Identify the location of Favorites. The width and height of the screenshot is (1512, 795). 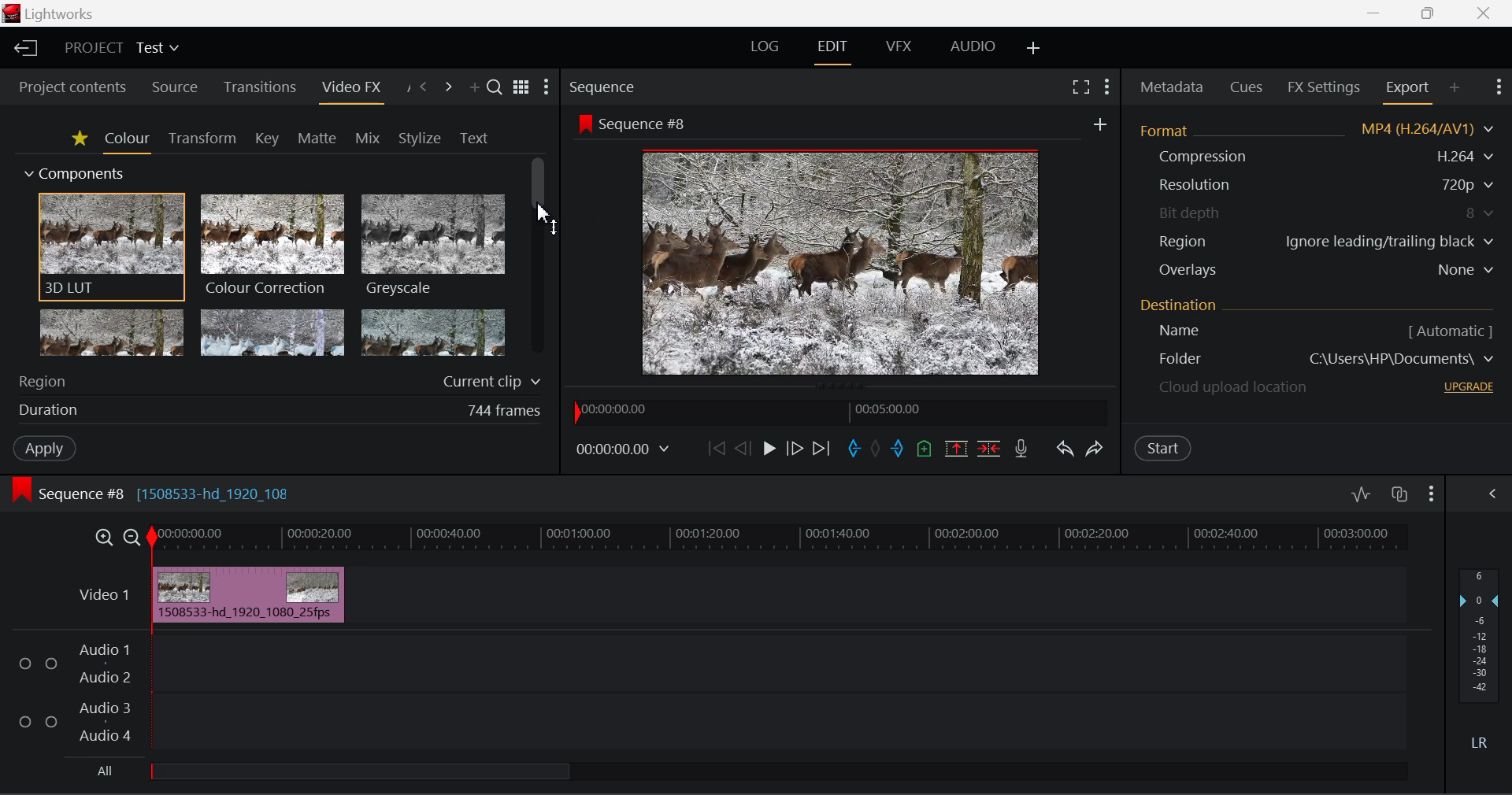
(77, 139).